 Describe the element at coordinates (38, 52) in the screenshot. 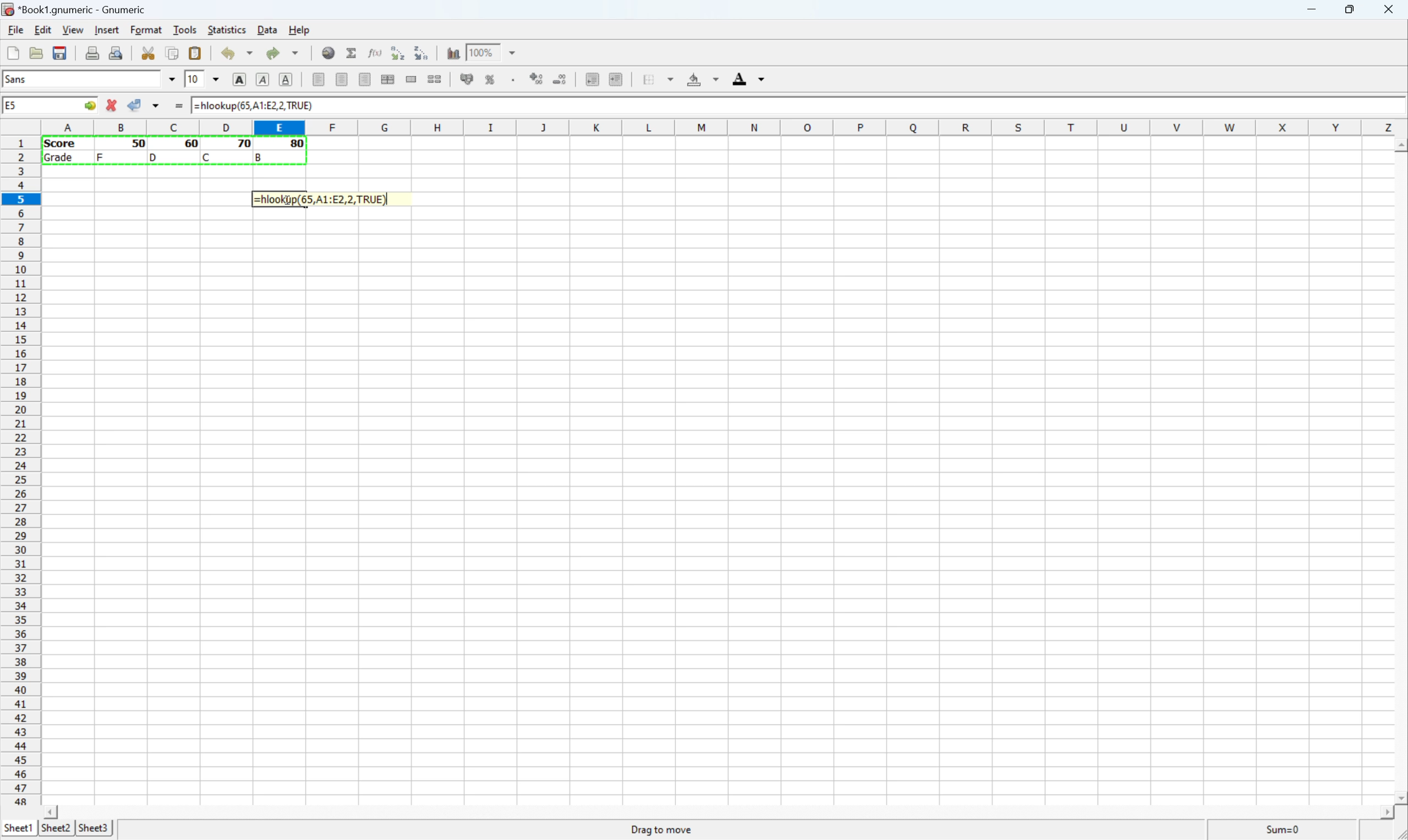

I see `Open a file` at that location.